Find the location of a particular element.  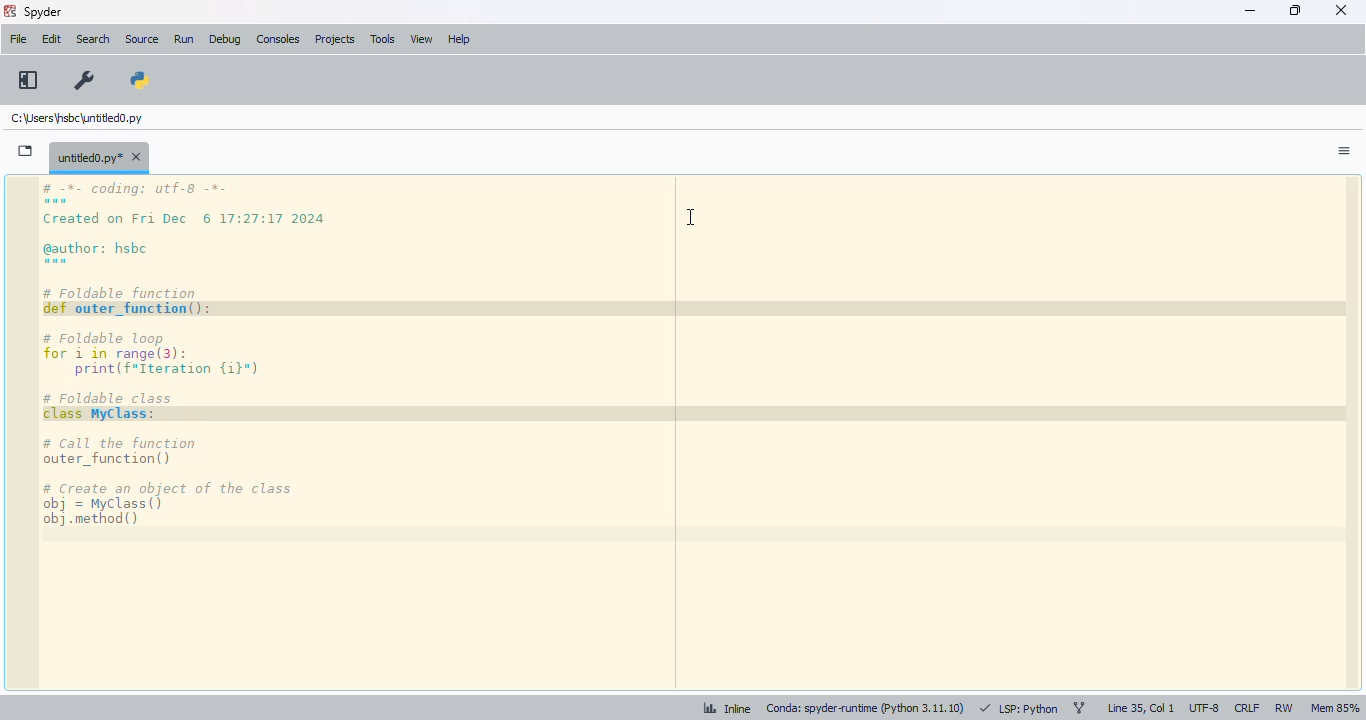

line 35, col 1 is located at coordinates (1141, 708).